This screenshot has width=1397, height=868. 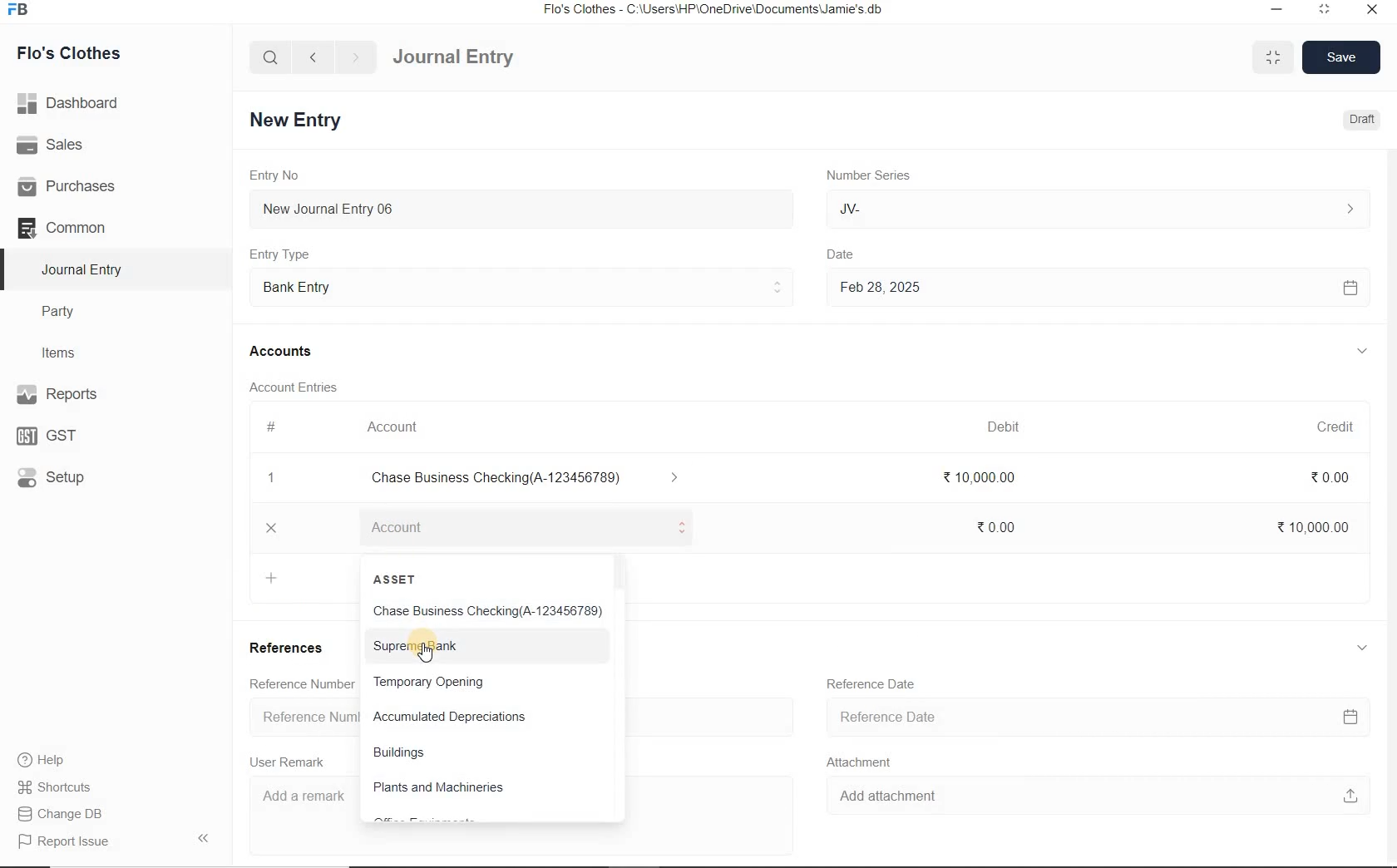 I want to click on Accounts, so click(x=284, y=351).